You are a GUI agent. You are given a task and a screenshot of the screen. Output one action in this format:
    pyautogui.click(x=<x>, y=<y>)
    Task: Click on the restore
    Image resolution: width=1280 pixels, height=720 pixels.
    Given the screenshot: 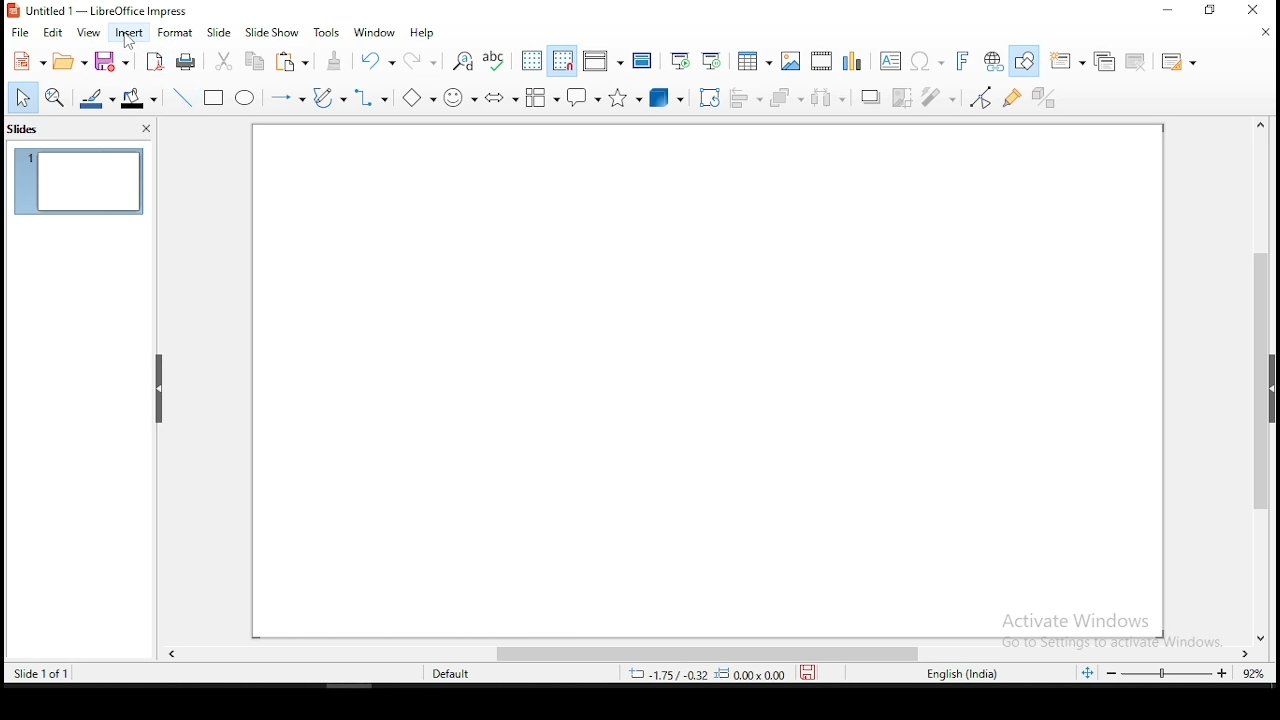 What is the action you would take?
    pyautogui.click(x=1212, y=10)
    